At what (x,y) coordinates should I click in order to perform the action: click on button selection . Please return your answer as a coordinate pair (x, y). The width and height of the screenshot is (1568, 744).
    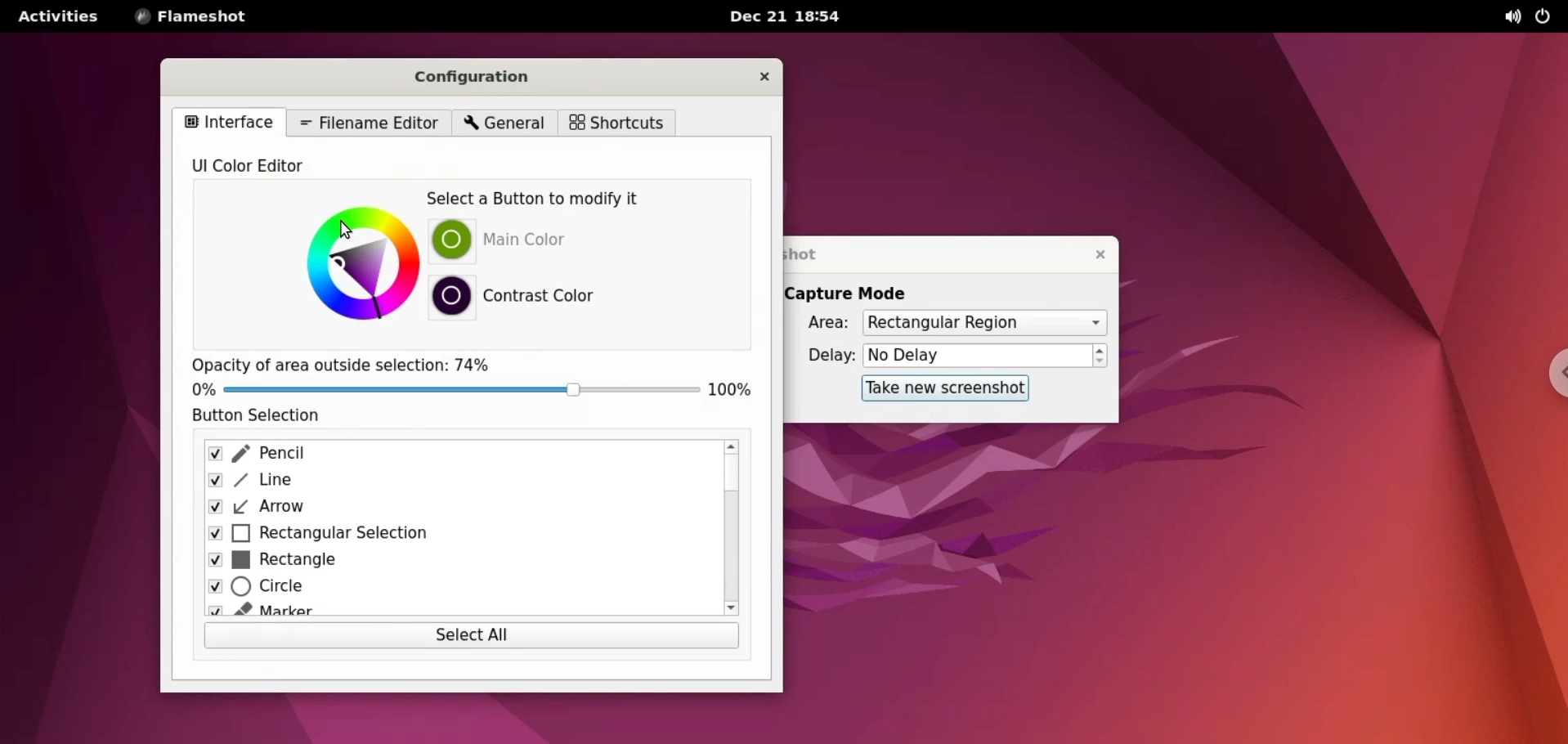
    Looking at the image, I should click on (263, 419).